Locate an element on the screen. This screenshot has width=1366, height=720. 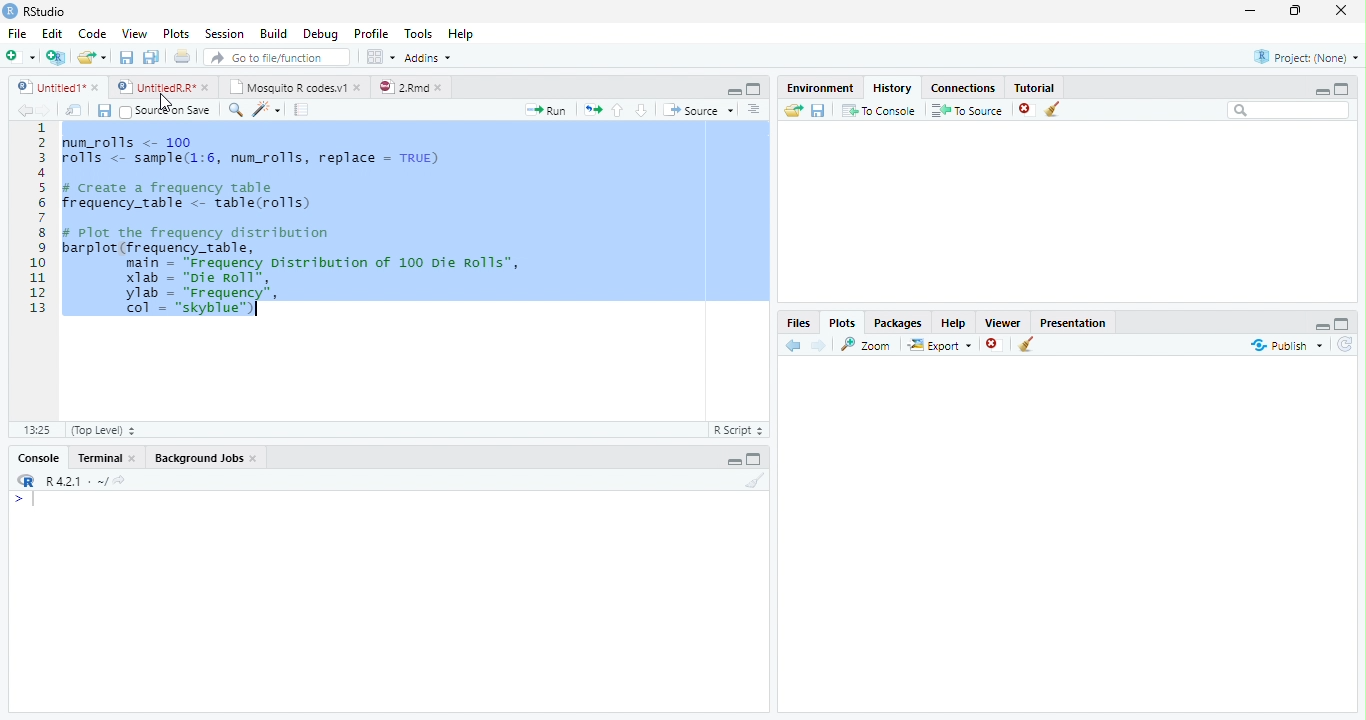
Print is located at coordinates (182, 56).